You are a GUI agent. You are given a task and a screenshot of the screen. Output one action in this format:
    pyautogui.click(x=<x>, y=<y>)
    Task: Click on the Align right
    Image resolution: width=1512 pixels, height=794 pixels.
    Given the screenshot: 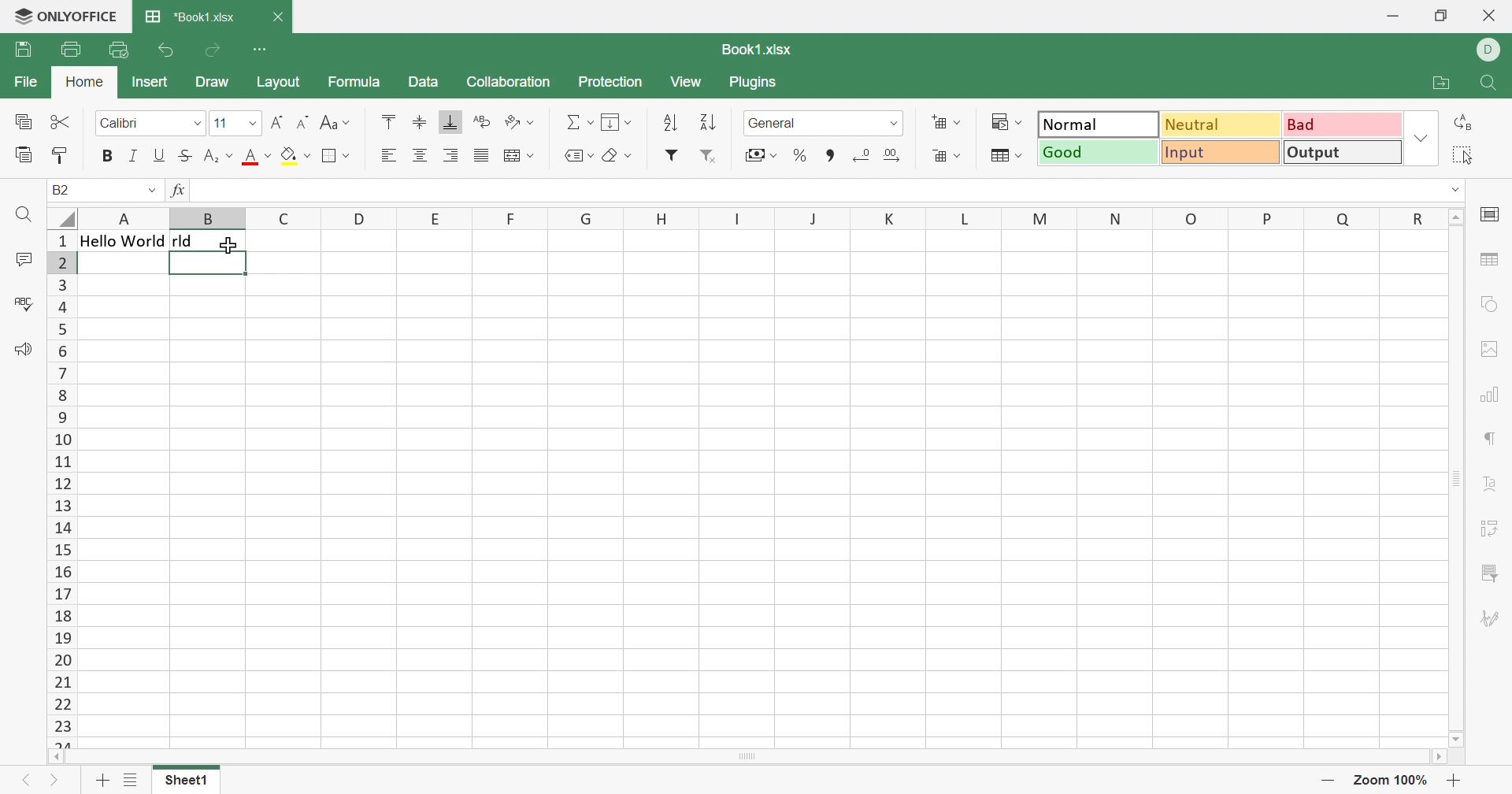 What is the action you would take?
    pyautogui.click(x=450, y=155)
    